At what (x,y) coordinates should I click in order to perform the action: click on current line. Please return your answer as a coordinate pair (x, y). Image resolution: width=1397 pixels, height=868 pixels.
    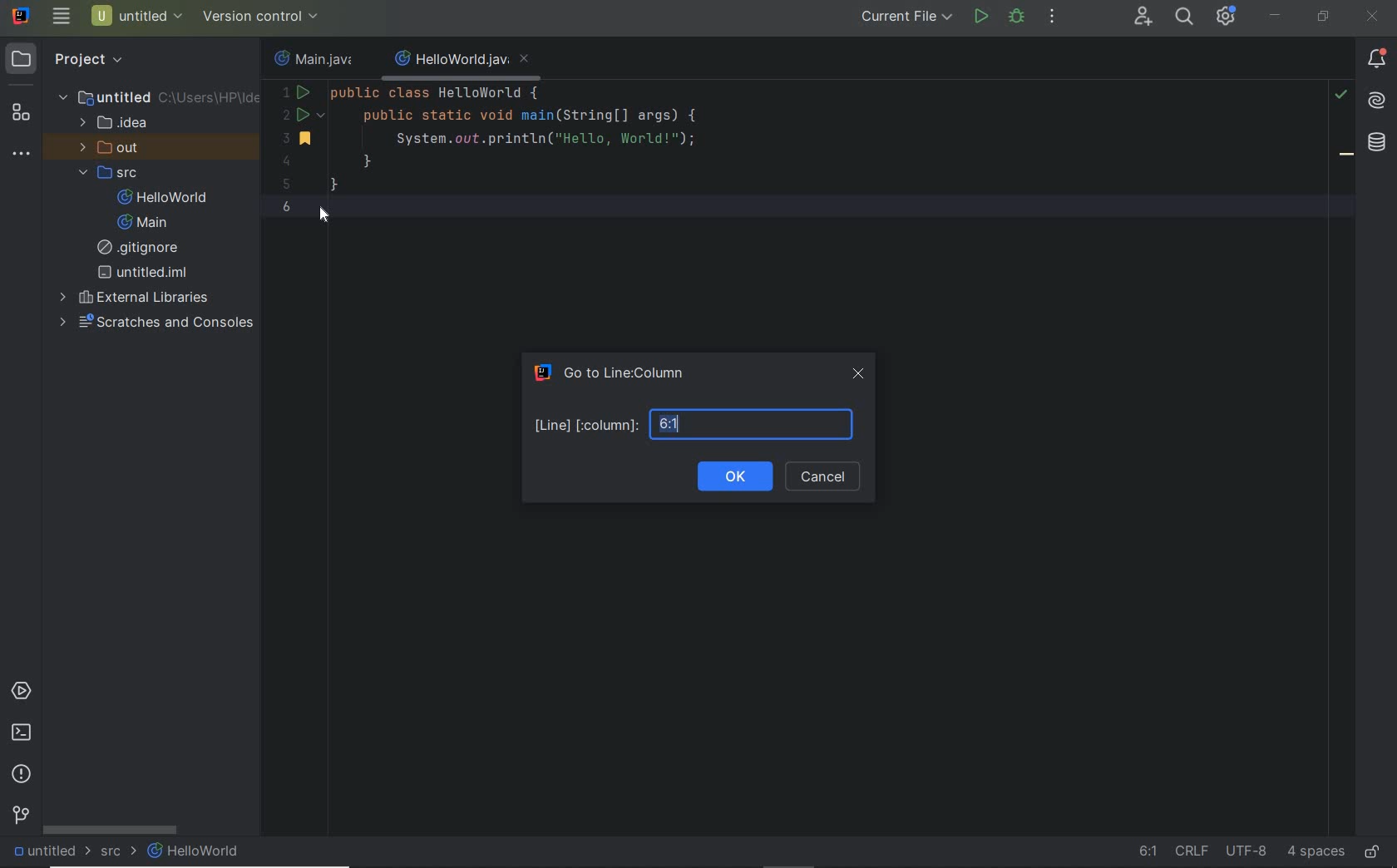
    Looking at the image, I should click on (811, 205).